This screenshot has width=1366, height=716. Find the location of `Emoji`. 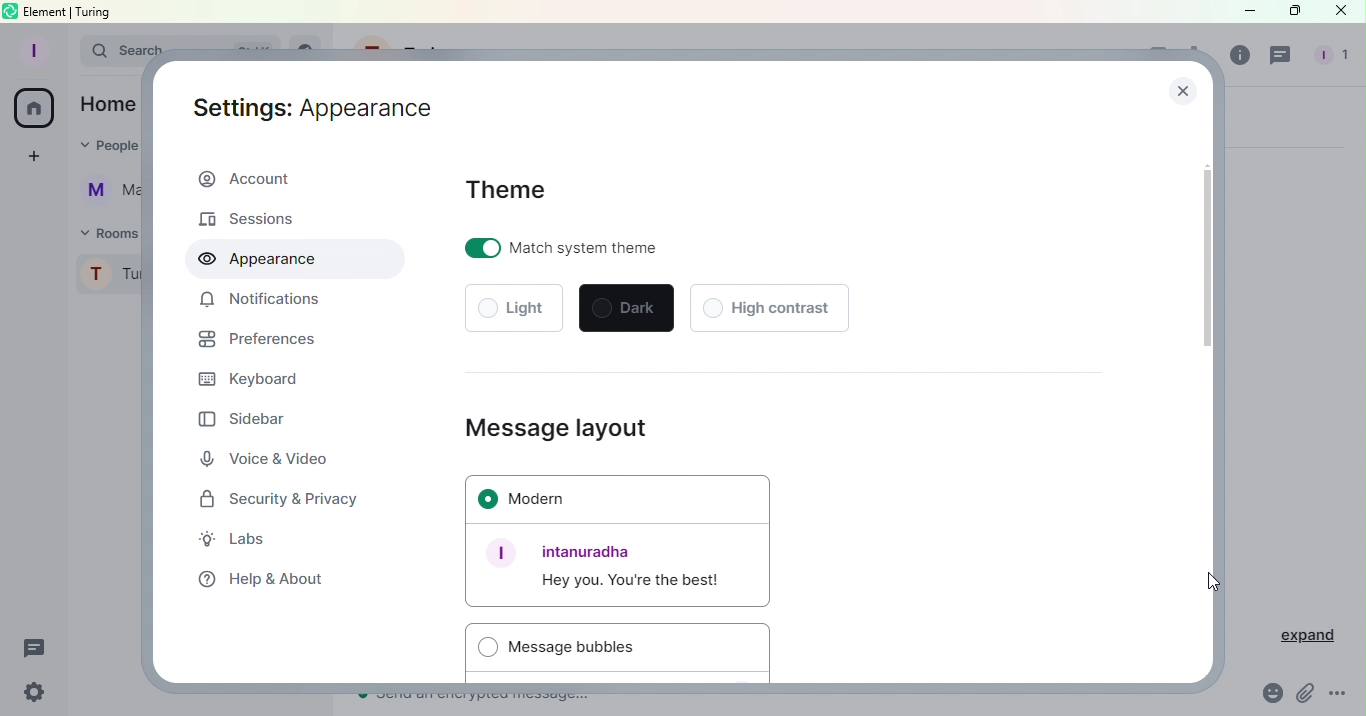

Emoji is located at coordinates (1269, 695).